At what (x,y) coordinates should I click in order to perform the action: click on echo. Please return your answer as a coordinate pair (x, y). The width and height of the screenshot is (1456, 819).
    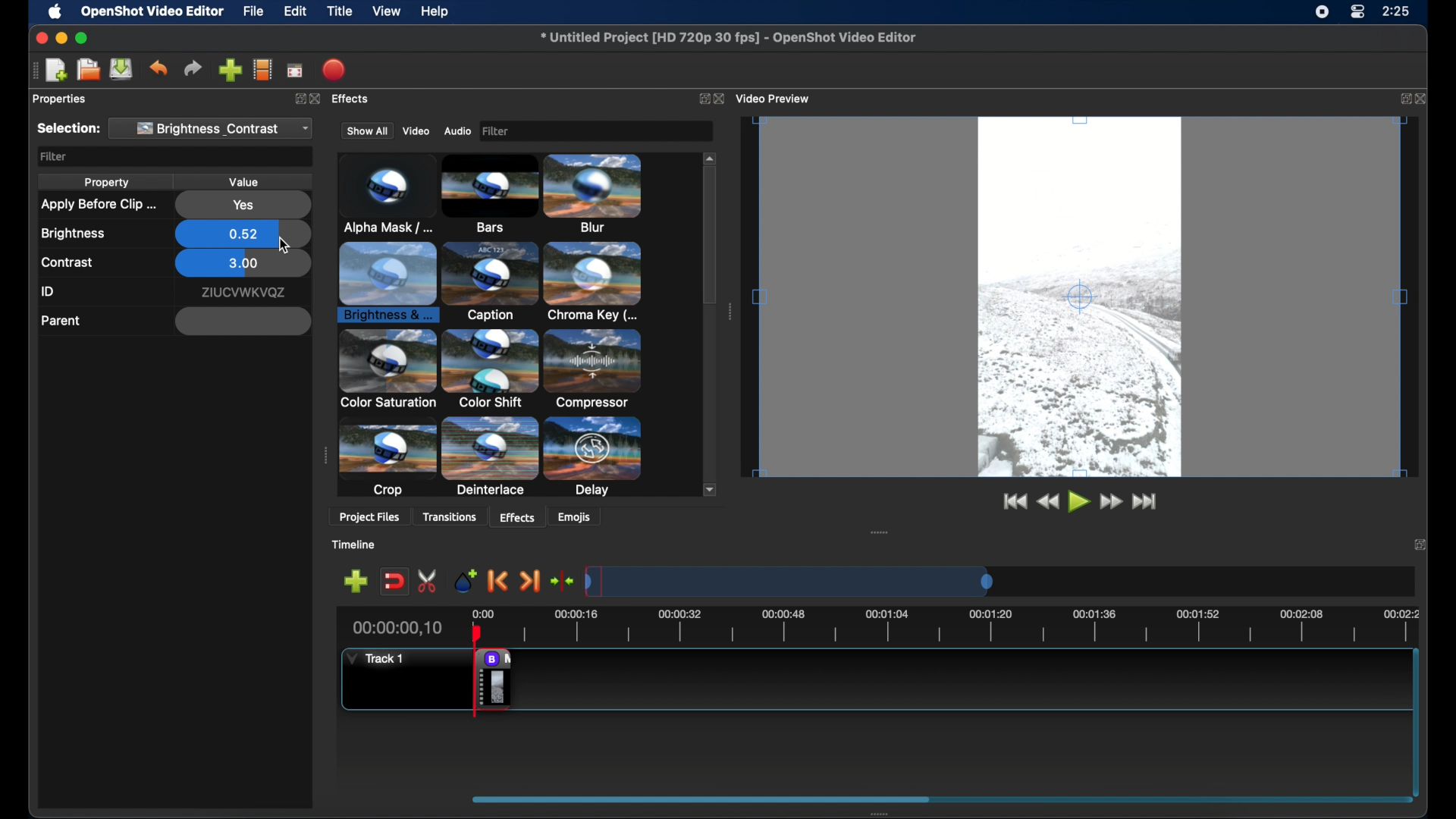
    Looking at the image, I should click on (388, 464).